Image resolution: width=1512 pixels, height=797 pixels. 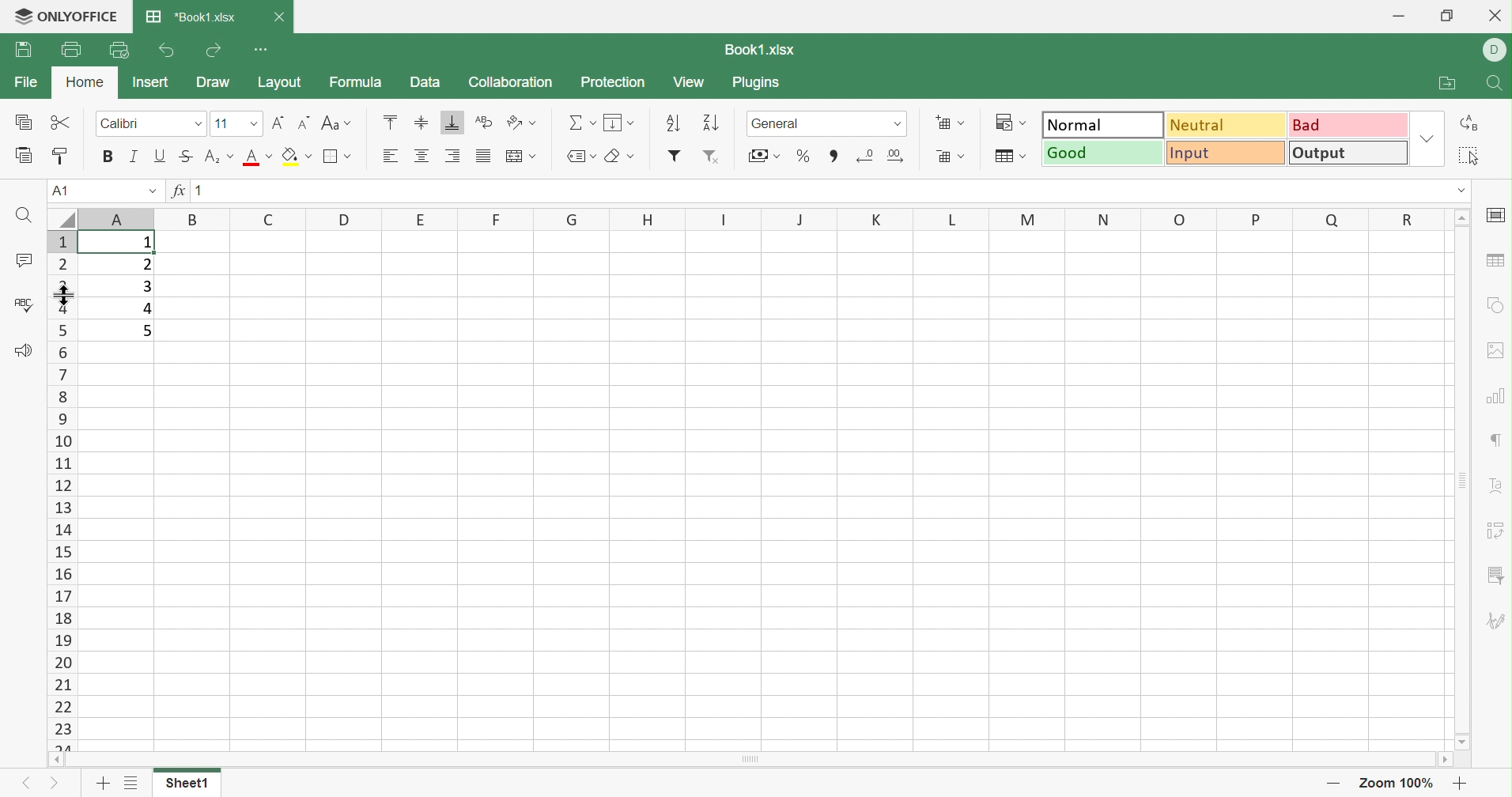 What do you see at coordinates (1003, 121) in the screenshot?
I see `Conditional formatting` at bounding box center [1003, 121].